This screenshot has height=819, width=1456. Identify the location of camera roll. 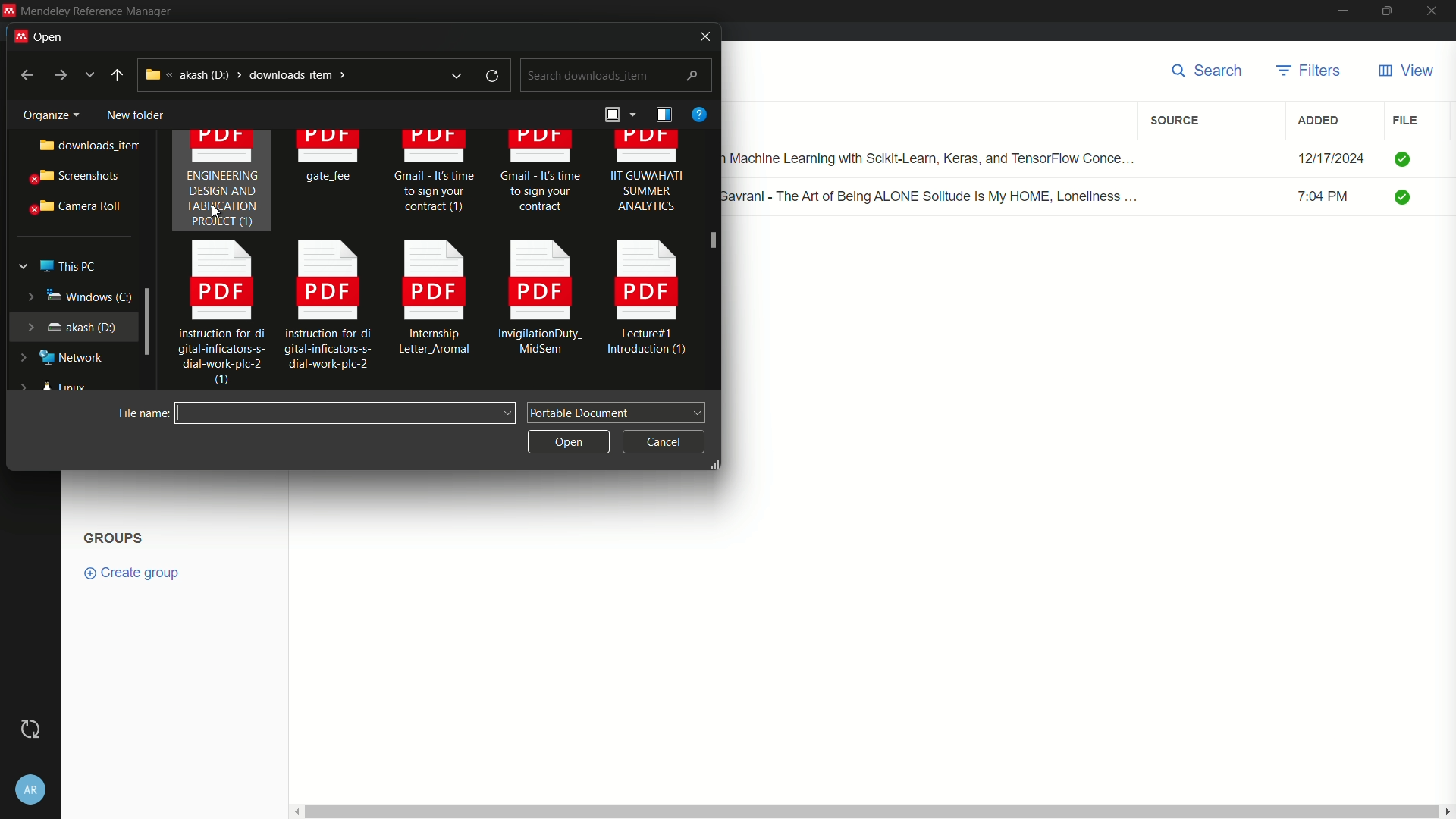
(72, 207).